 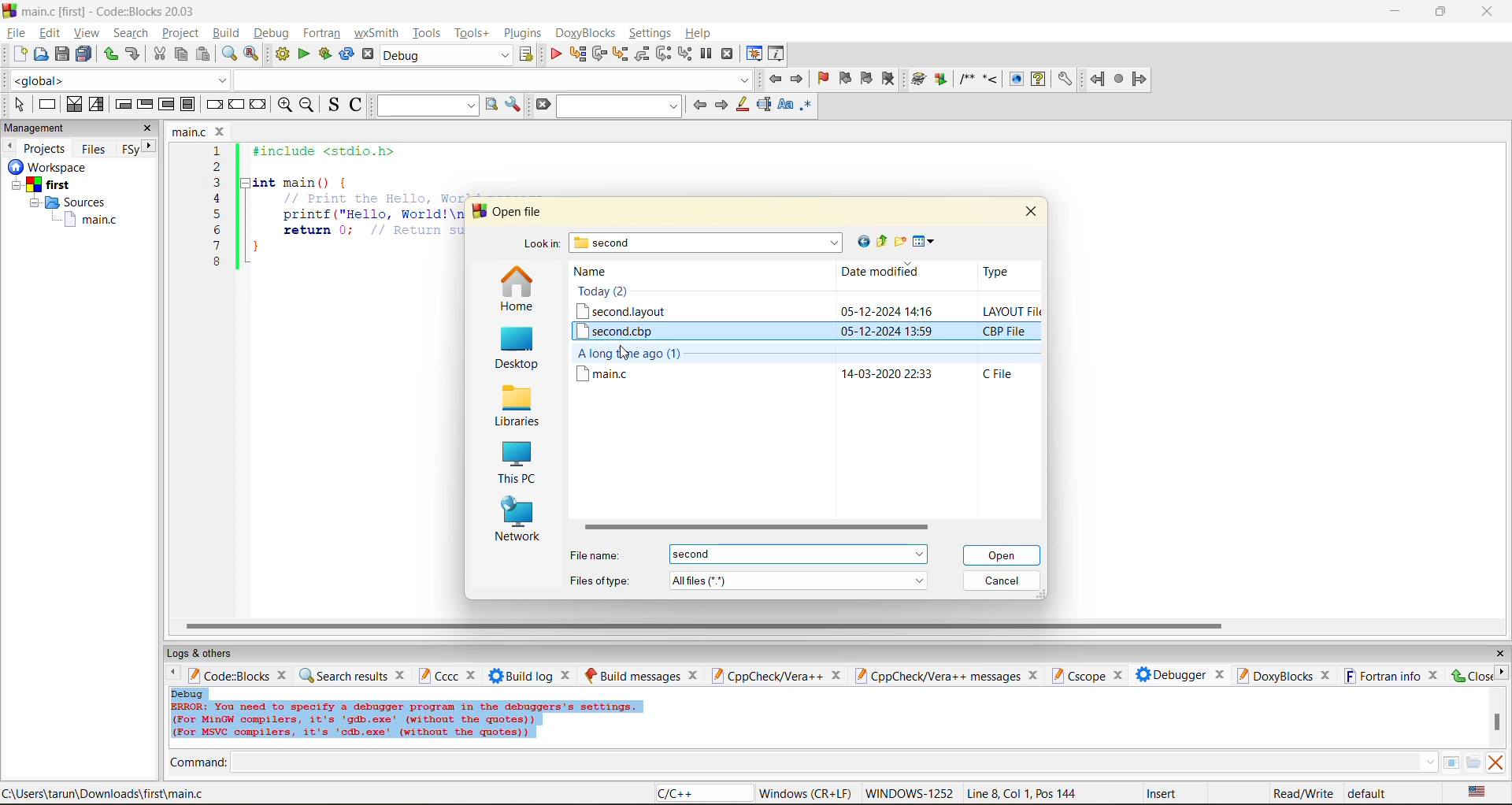 I want to click on build, so click(x=919, y=80).